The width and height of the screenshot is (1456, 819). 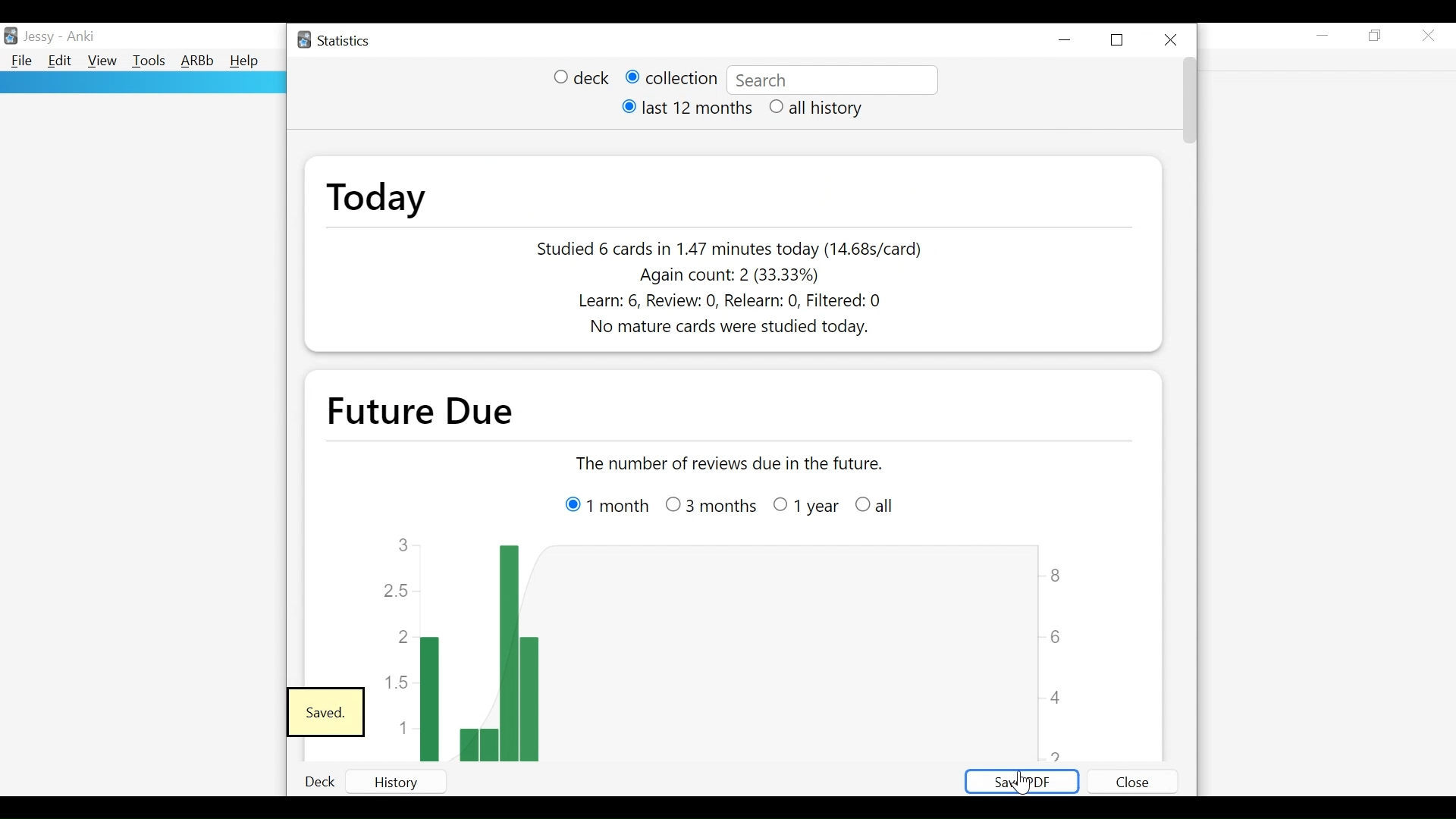 I want to click on cursor, so click(x=1021, y=783).